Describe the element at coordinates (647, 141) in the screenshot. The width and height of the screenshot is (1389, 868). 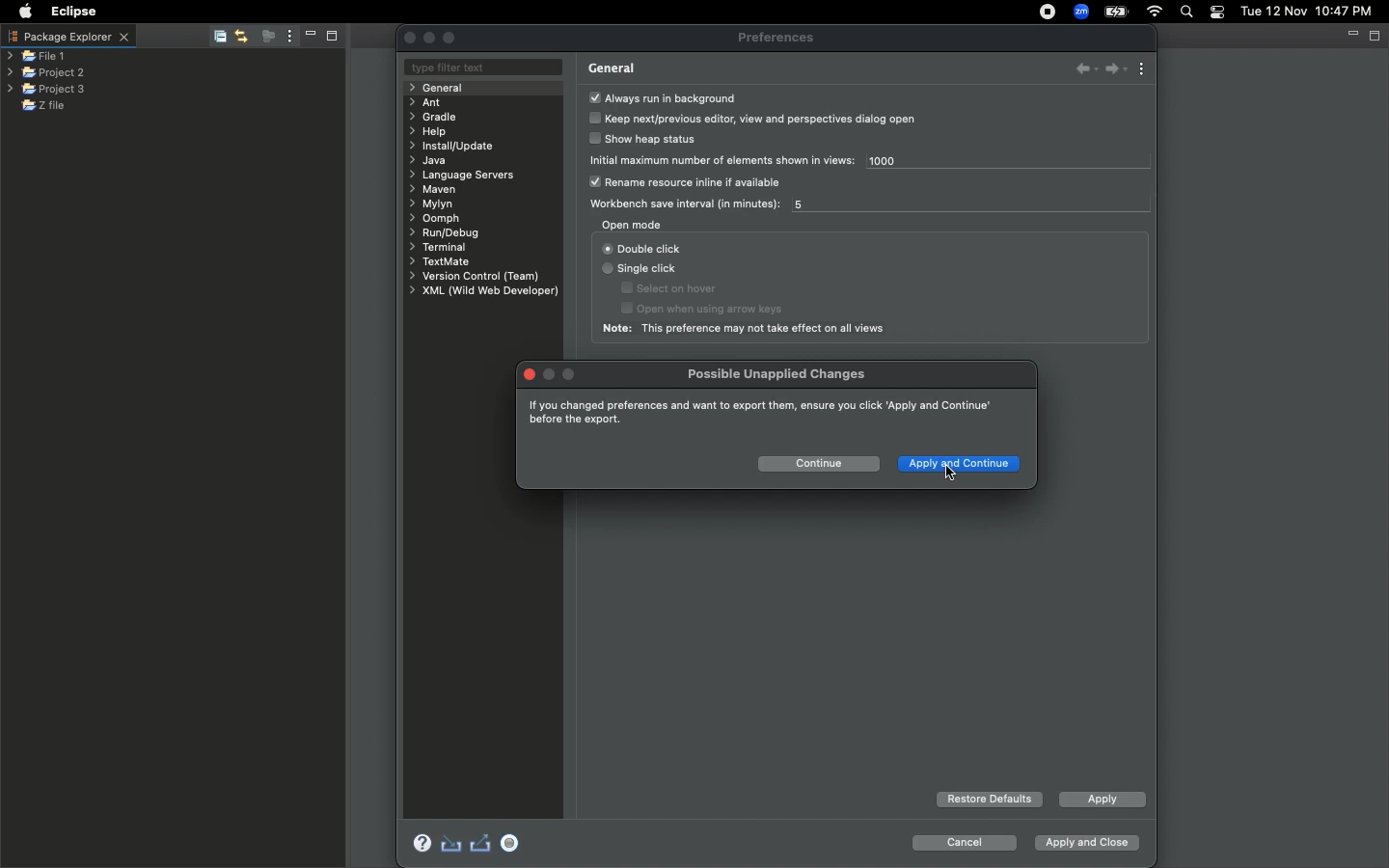
I see `Show heap status` at that location.